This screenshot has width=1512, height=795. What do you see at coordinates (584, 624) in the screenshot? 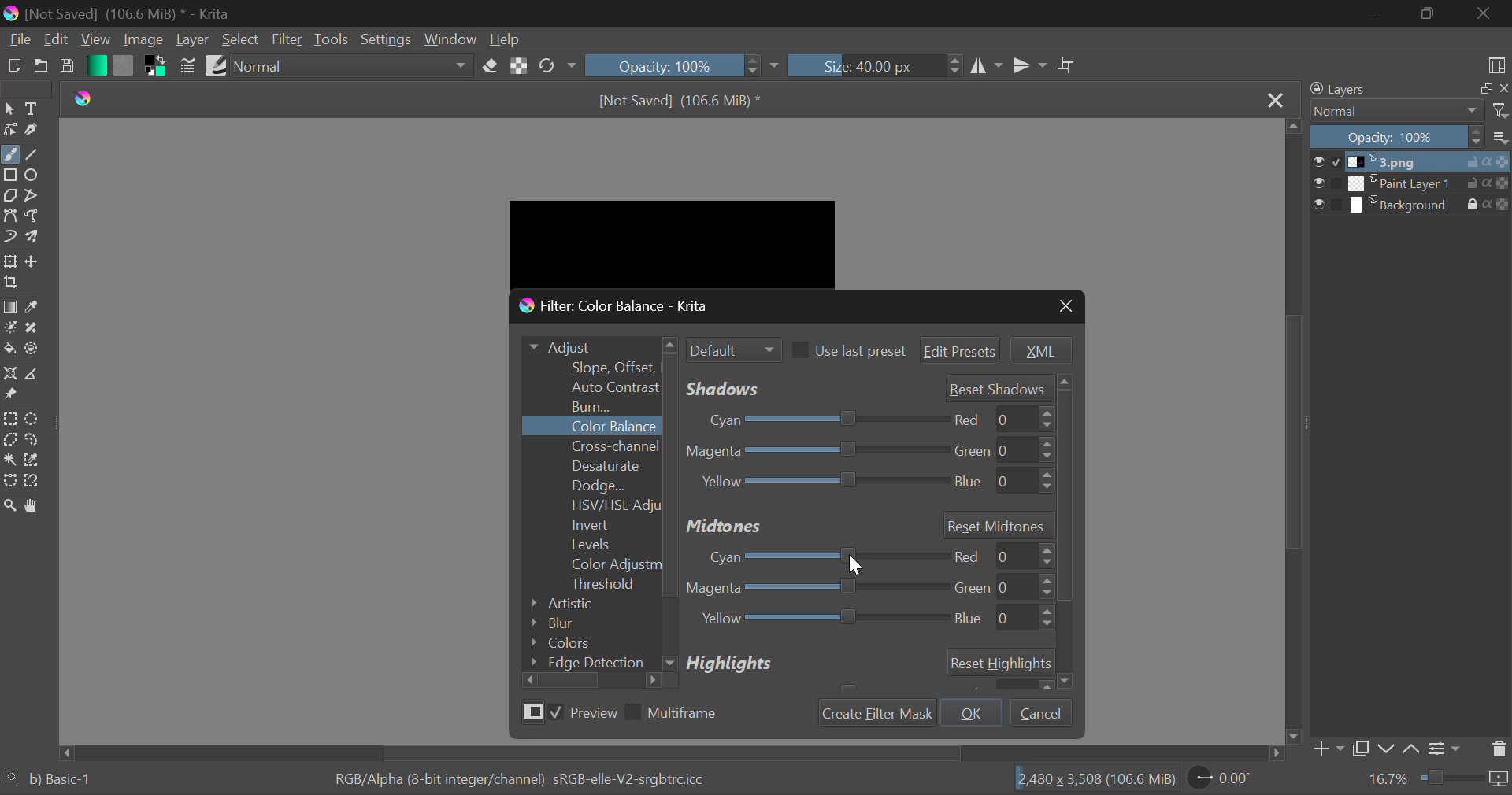
I see `Blur` at bounding box center [584, 624].